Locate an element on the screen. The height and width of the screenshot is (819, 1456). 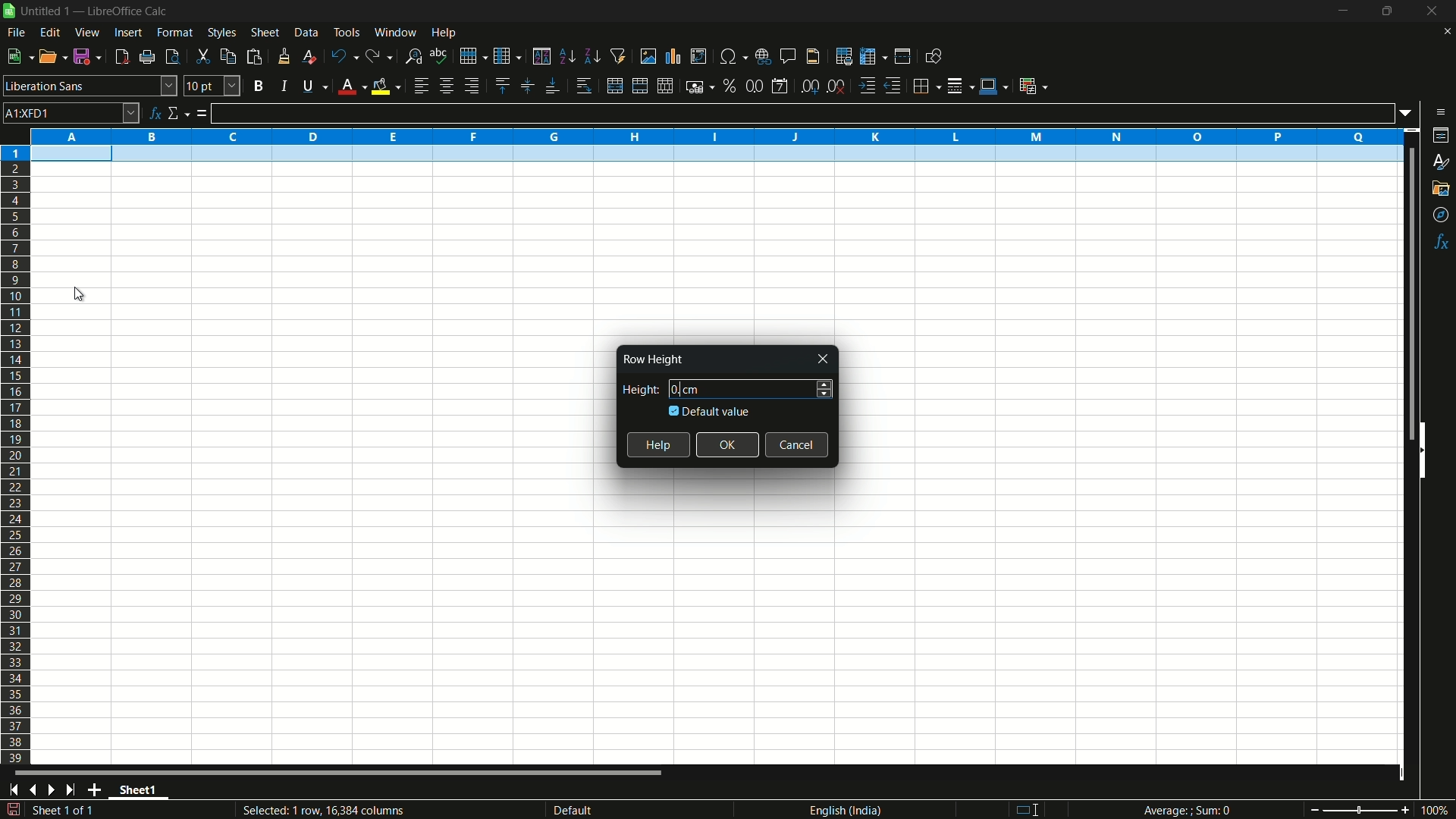
ok is located at coordinates (729, 444).